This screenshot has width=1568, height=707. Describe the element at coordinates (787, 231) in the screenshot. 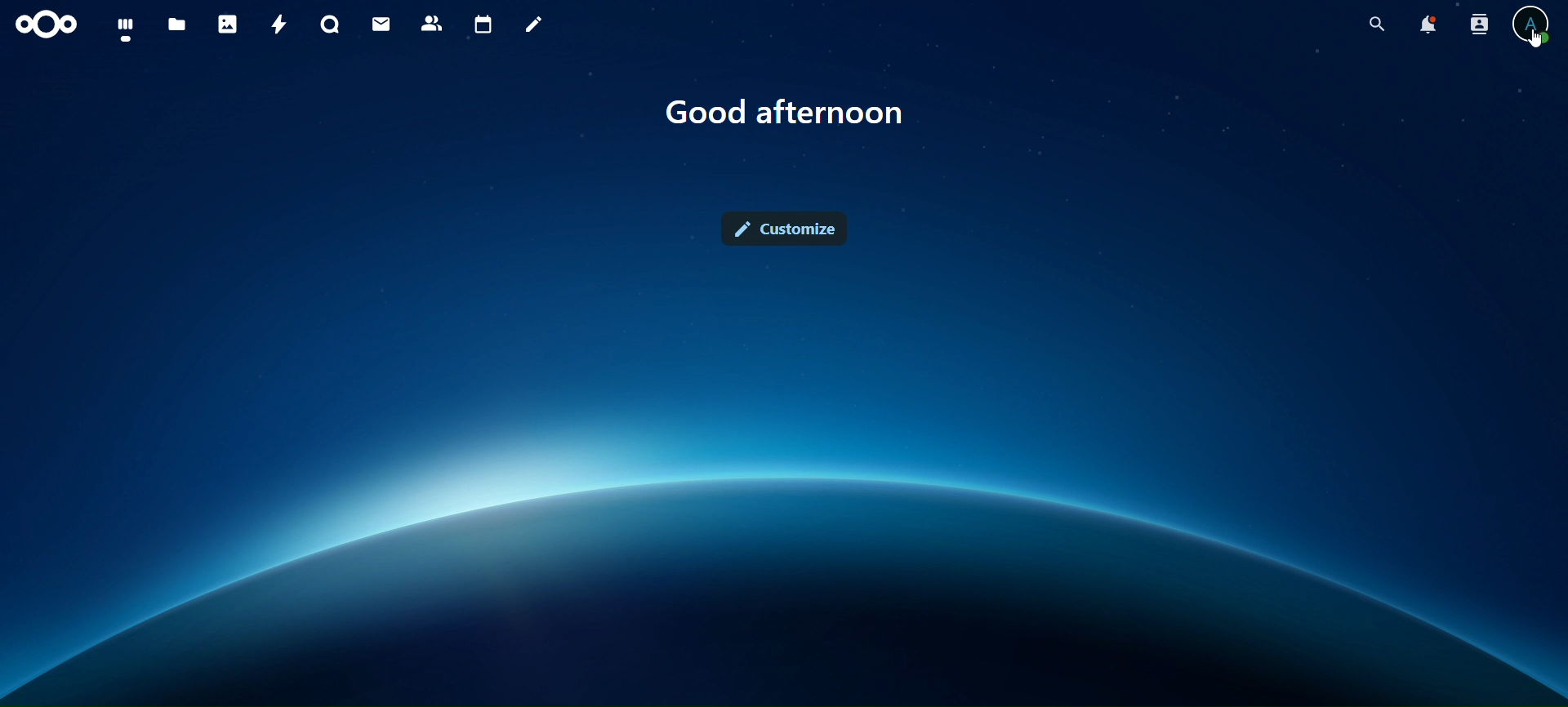

I see `customize` at that location.